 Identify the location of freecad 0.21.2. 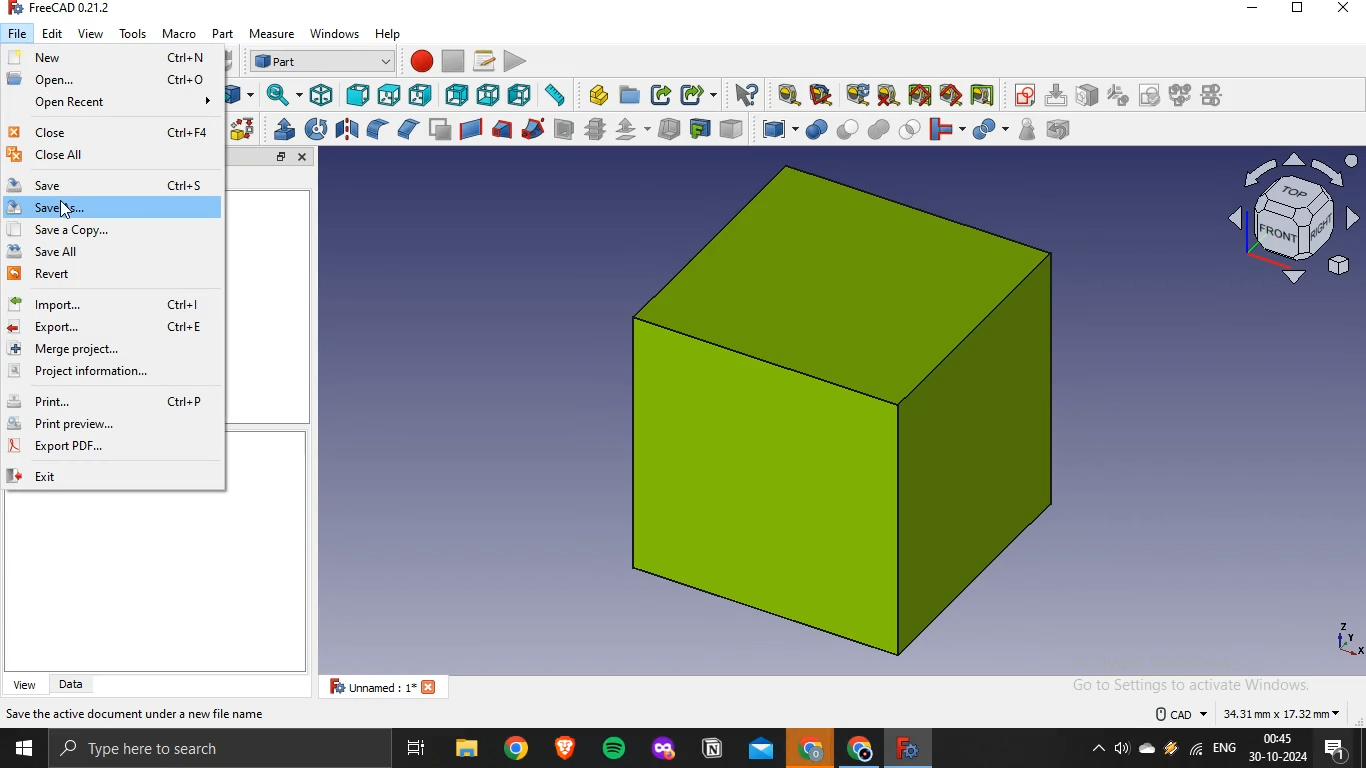
(66, 10).